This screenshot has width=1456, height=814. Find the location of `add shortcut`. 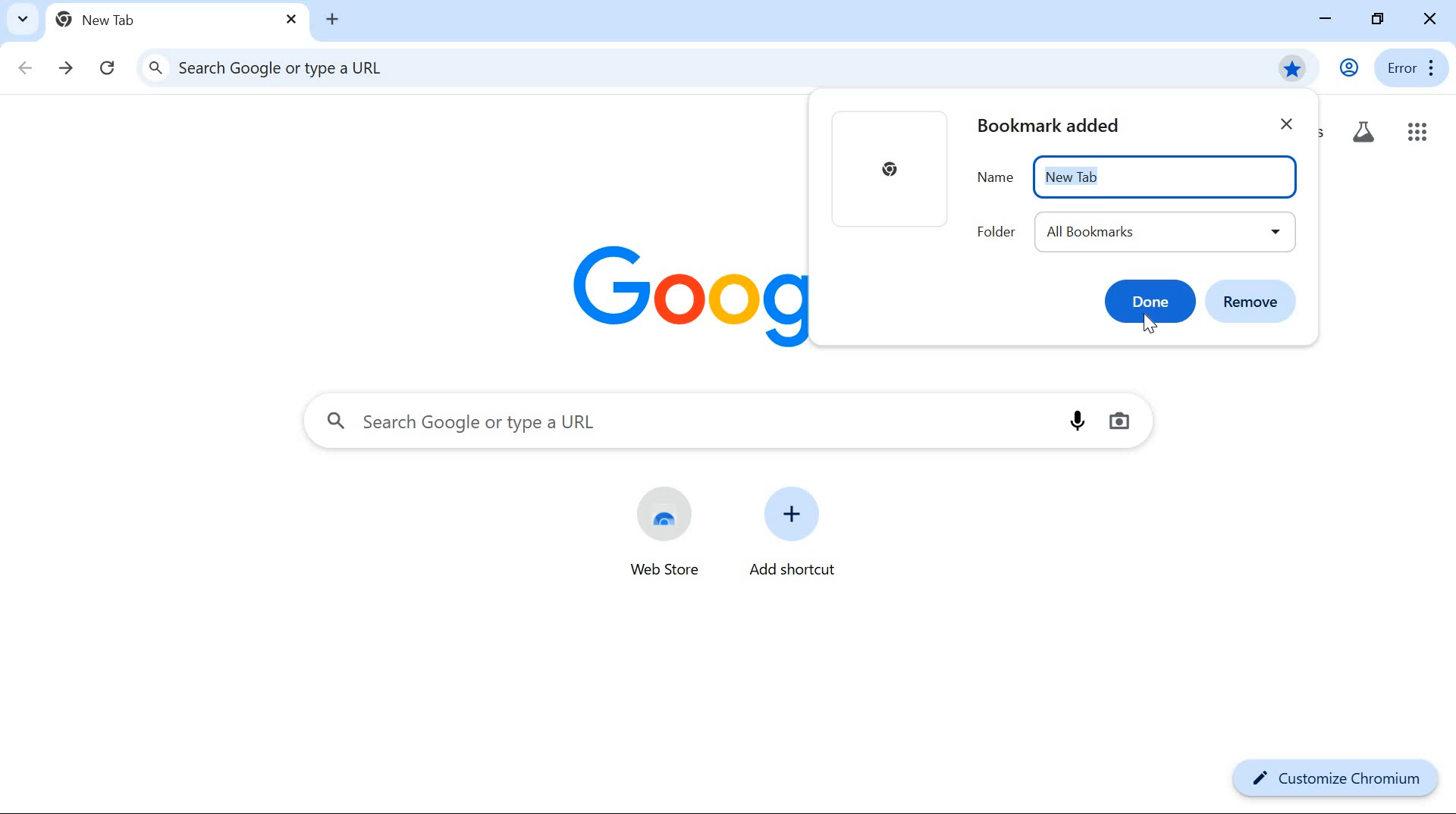

add shortcut is located at coordinates (791, 532).